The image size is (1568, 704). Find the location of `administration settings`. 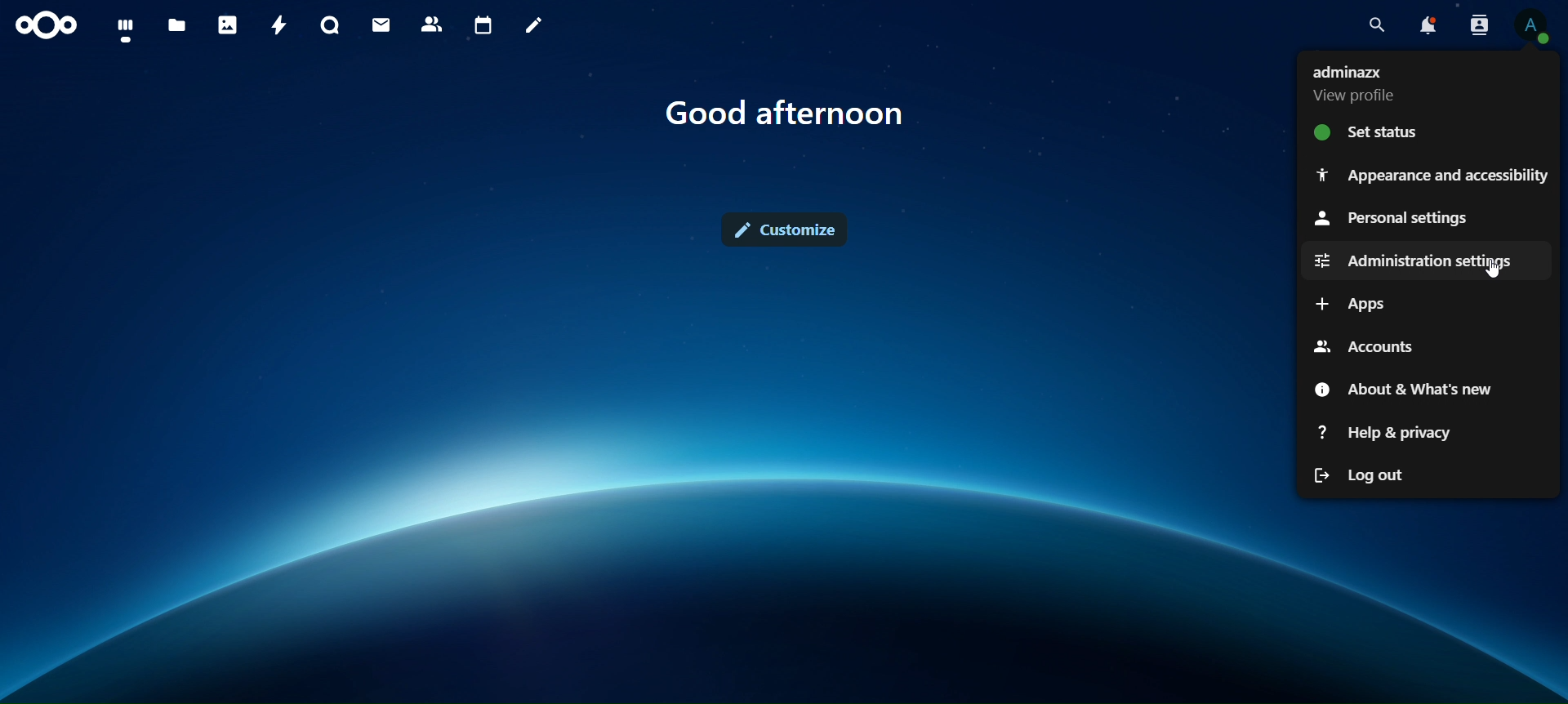

administration settings is located at coordinates (1412, 260).